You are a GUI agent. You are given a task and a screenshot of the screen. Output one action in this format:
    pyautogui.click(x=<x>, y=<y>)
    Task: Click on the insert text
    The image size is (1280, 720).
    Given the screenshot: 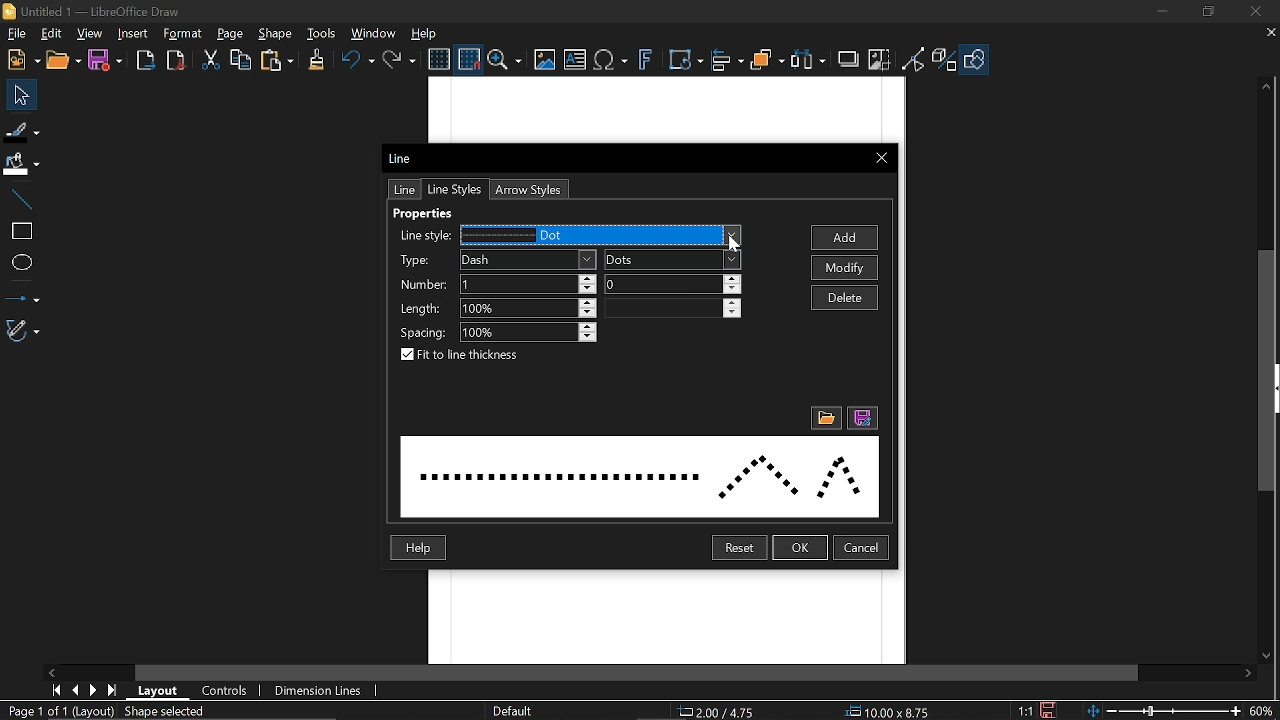 What is the action you would take?
    pyautogui.click(x=575, y=61)
    